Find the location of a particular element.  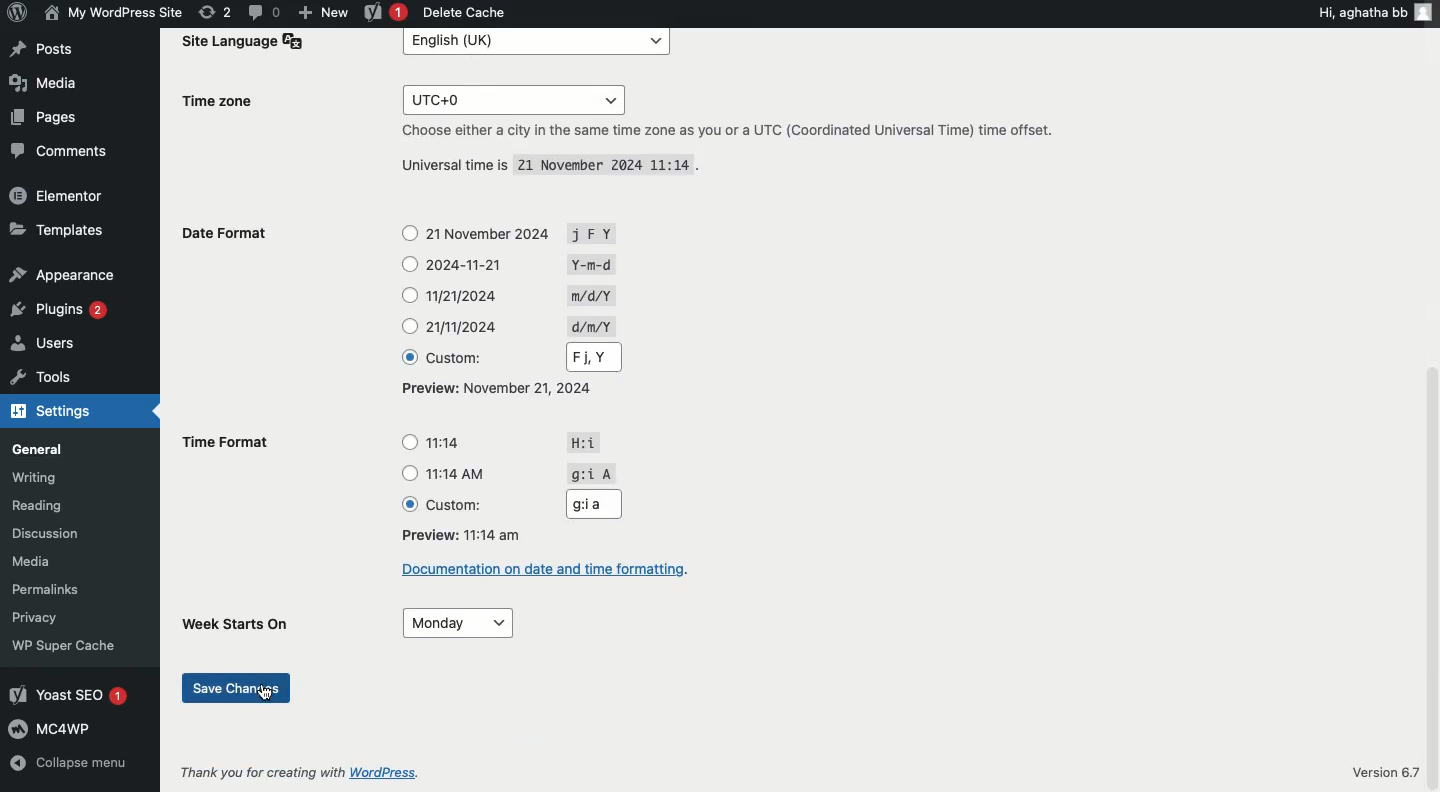

11:14 H:i is located at coordinates (519, 444).